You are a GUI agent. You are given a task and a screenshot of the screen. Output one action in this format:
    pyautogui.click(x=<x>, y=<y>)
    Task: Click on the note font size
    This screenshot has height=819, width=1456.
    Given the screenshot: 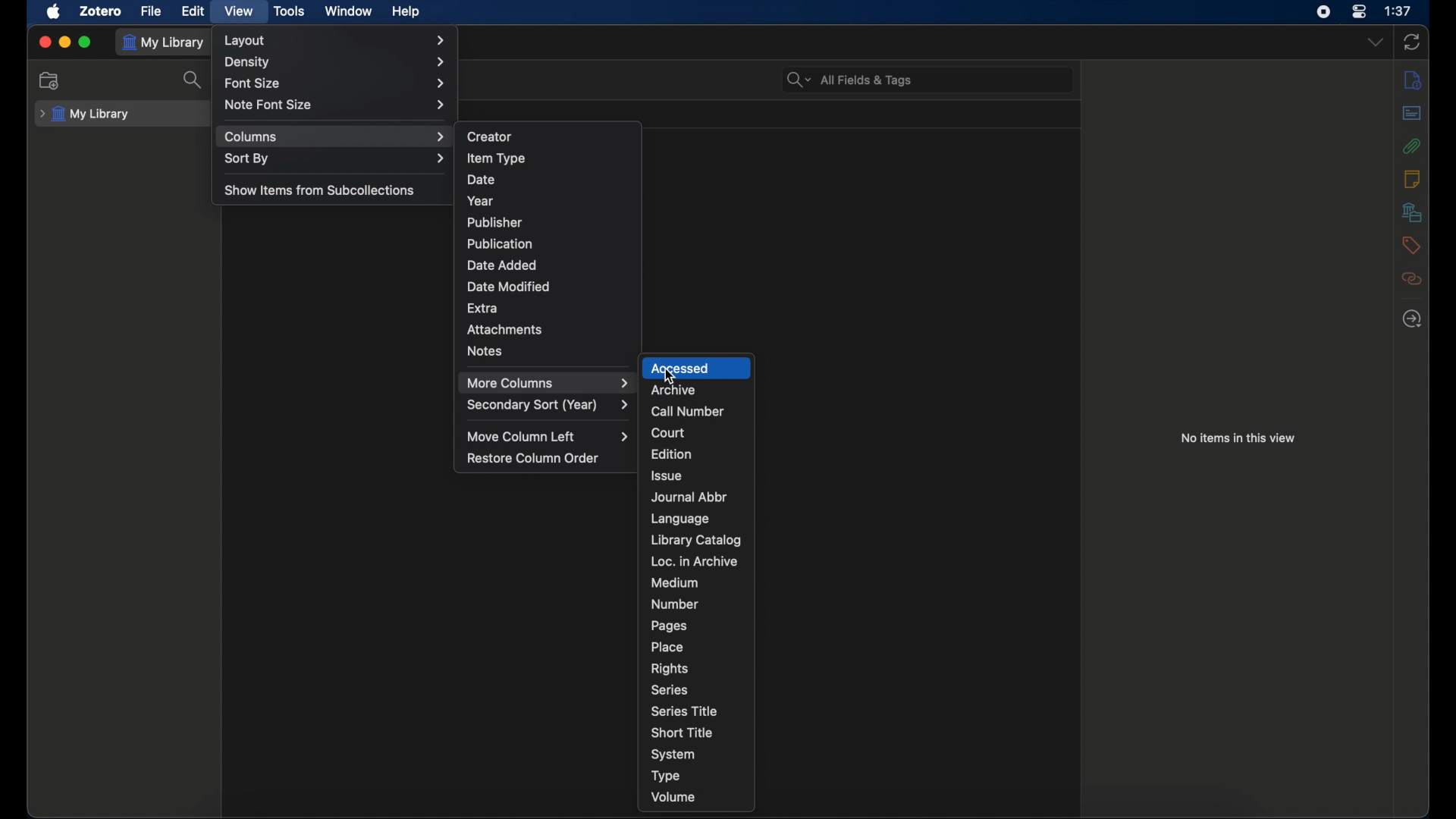 What is the action you would take?
    pyautogui.click(x=337, y=105)
    